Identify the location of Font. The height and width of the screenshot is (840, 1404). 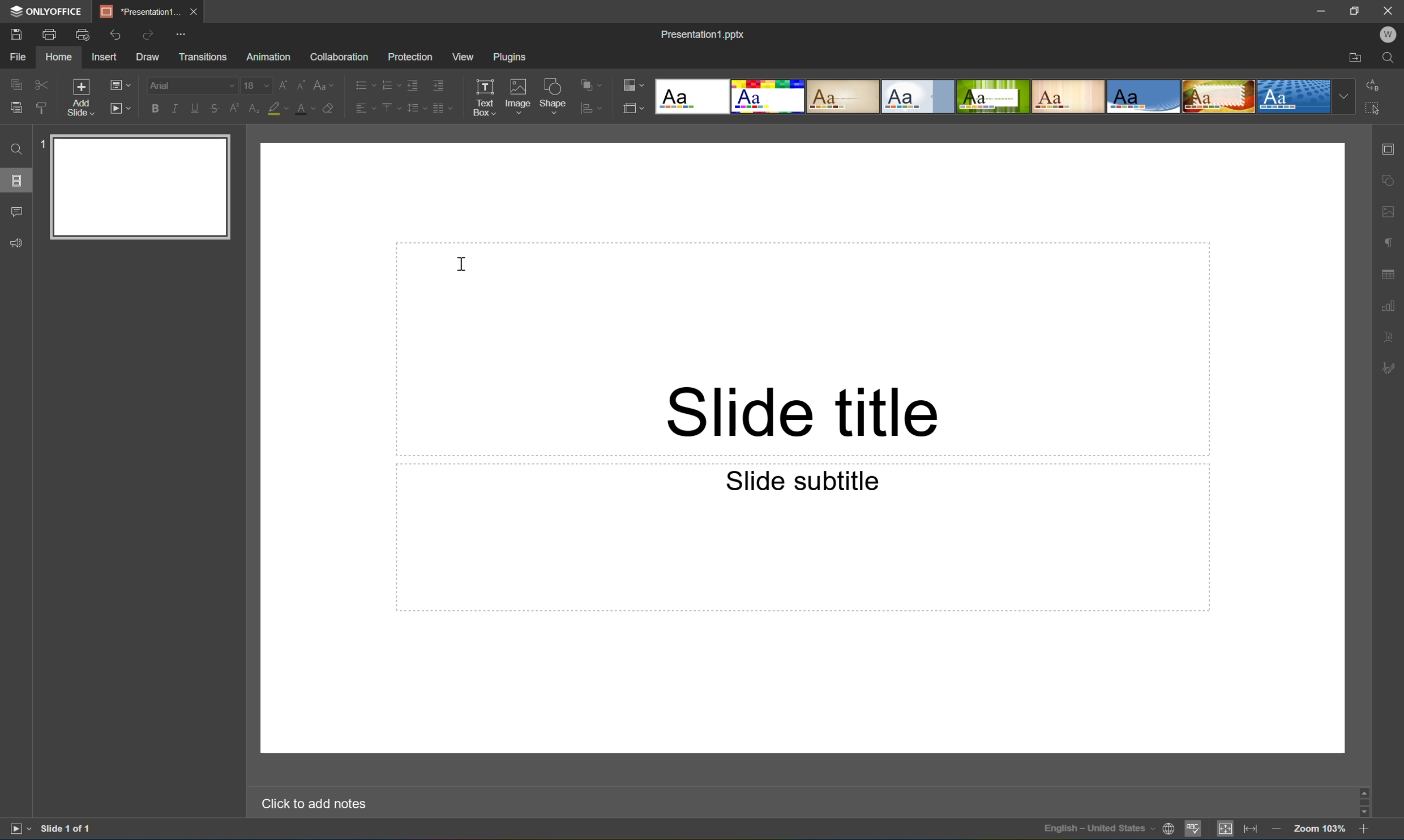
(193, 85).